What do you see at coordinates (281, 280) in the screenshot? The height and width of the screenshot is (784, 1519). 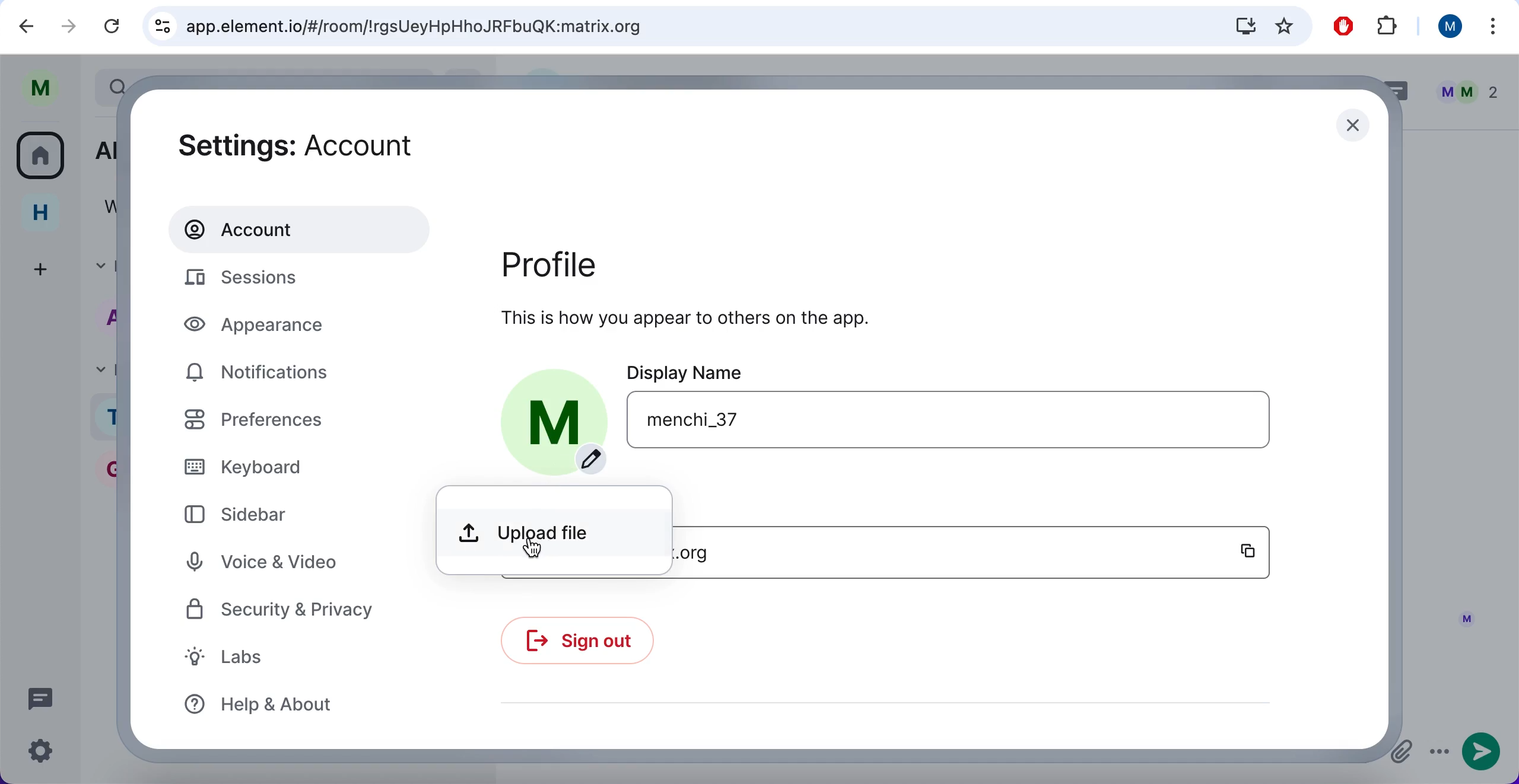 I see `sessions` at bounding box center [281, 280].